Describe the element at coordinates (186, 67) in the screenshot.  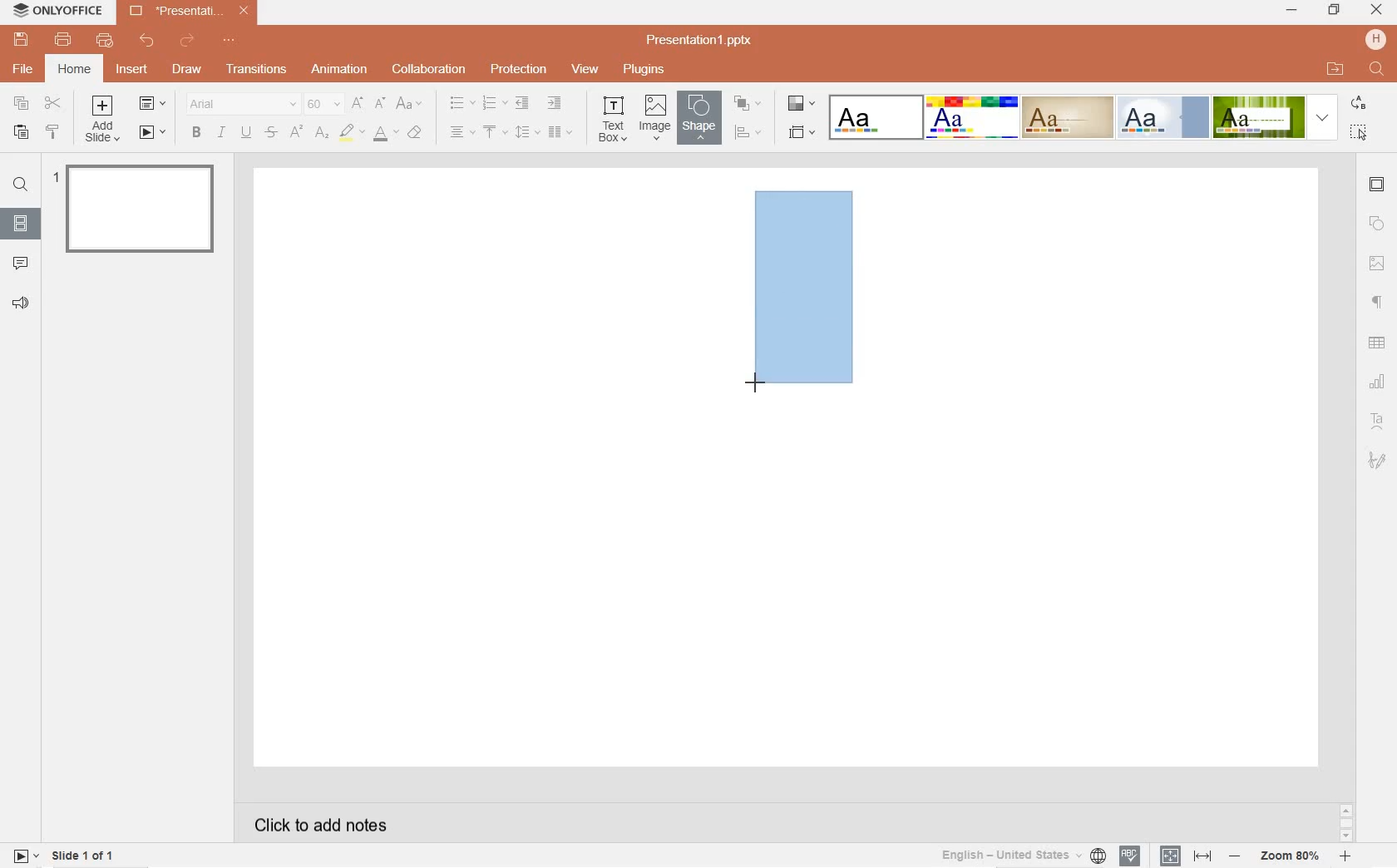
I see `draw` at that location.